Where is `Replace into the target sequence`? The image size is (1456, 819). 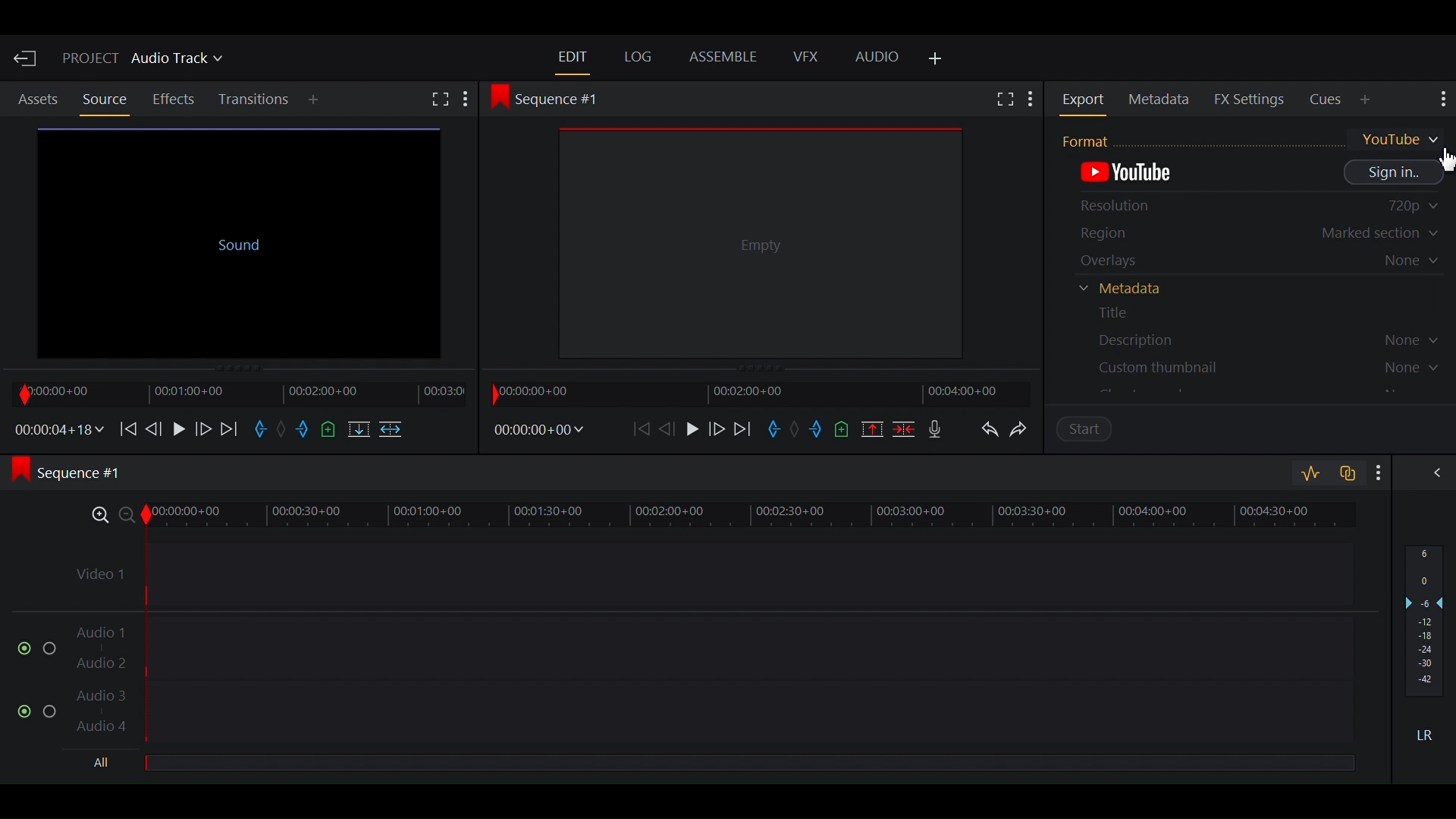 Replace into the target sequence is located at coordinates (357, 431).